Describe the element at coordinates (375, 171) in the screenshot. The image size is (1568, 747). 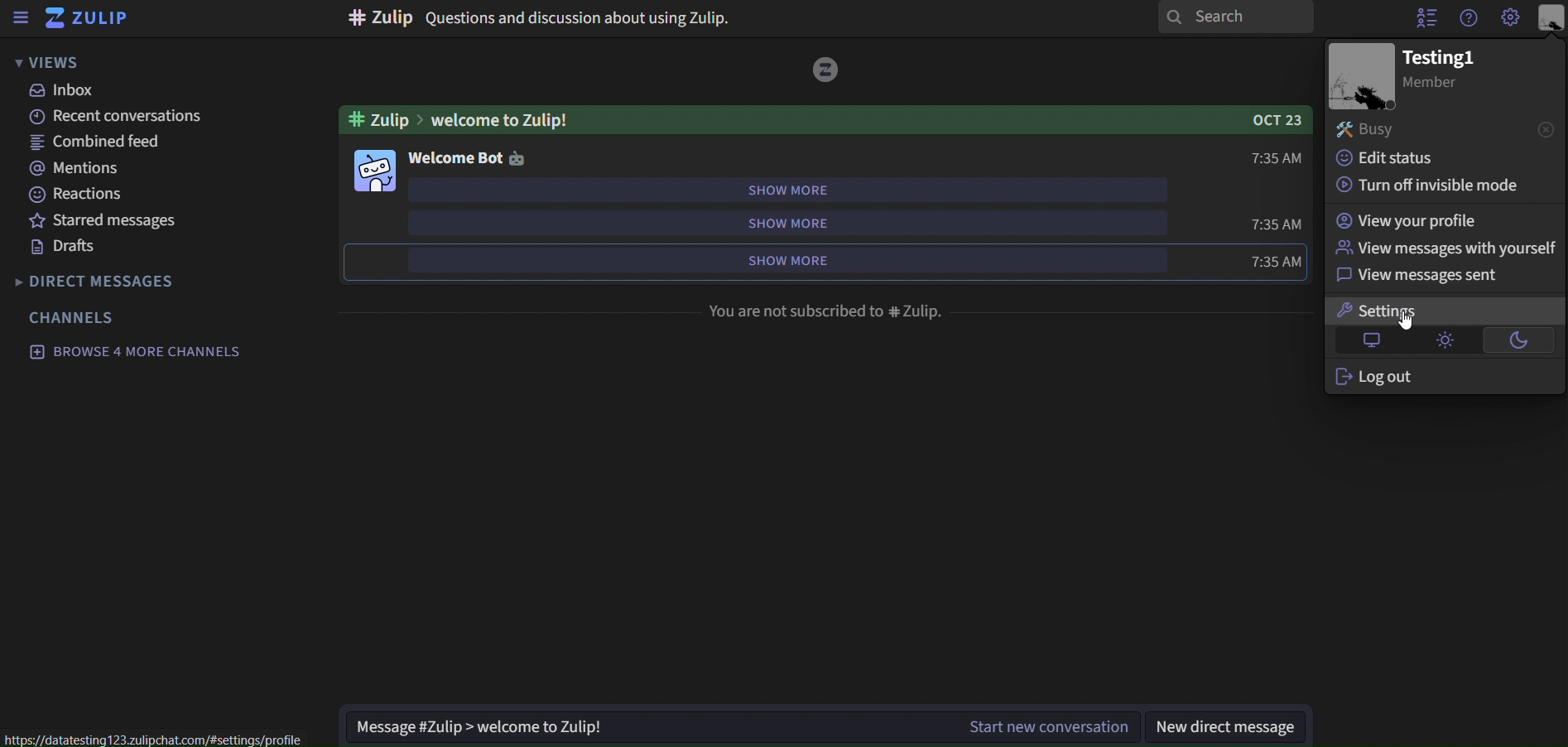
I see `image` at that location.